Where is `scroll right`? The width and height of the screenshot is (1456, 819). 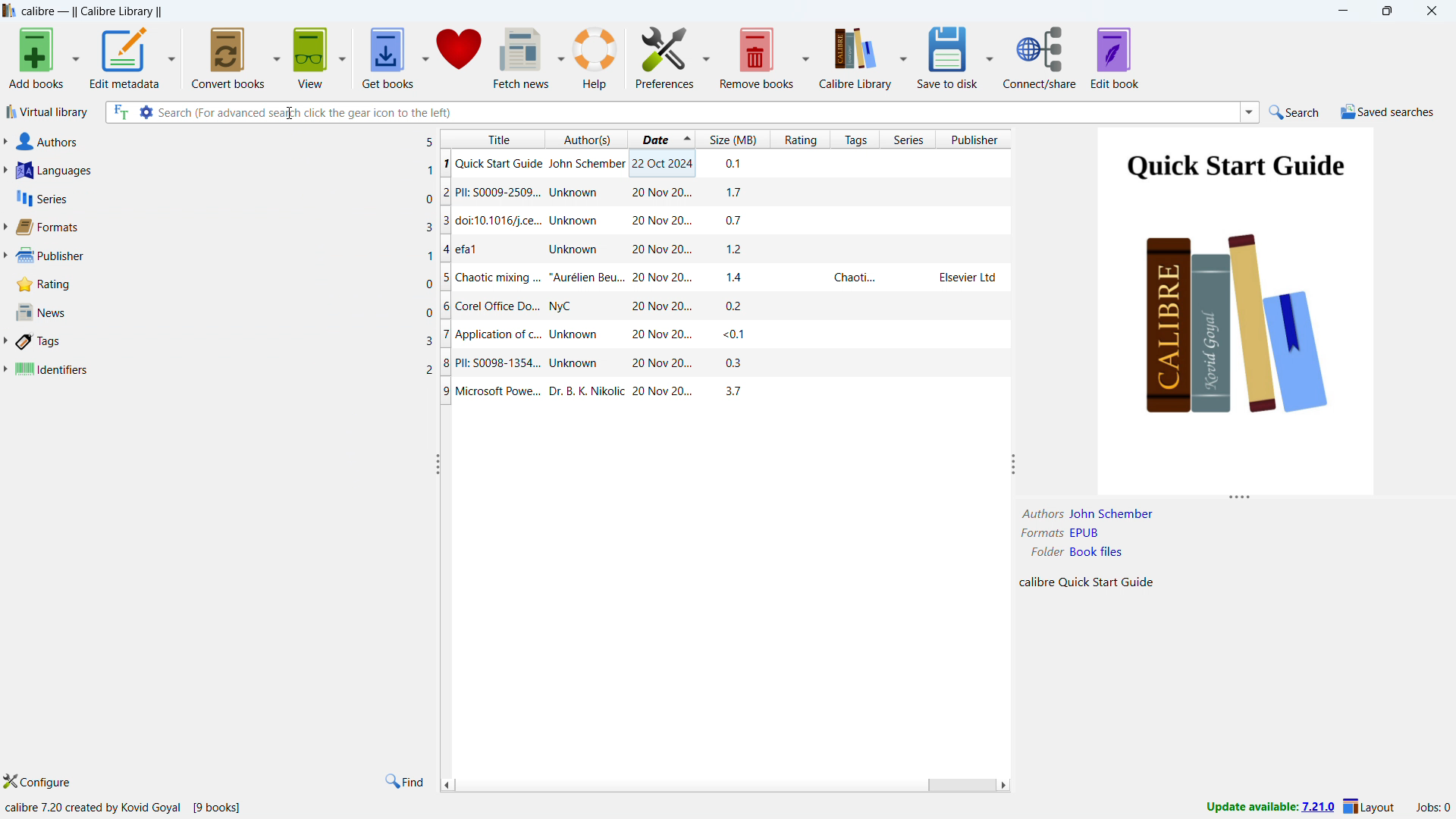
scroll right is located at coordinates (1006, 785).